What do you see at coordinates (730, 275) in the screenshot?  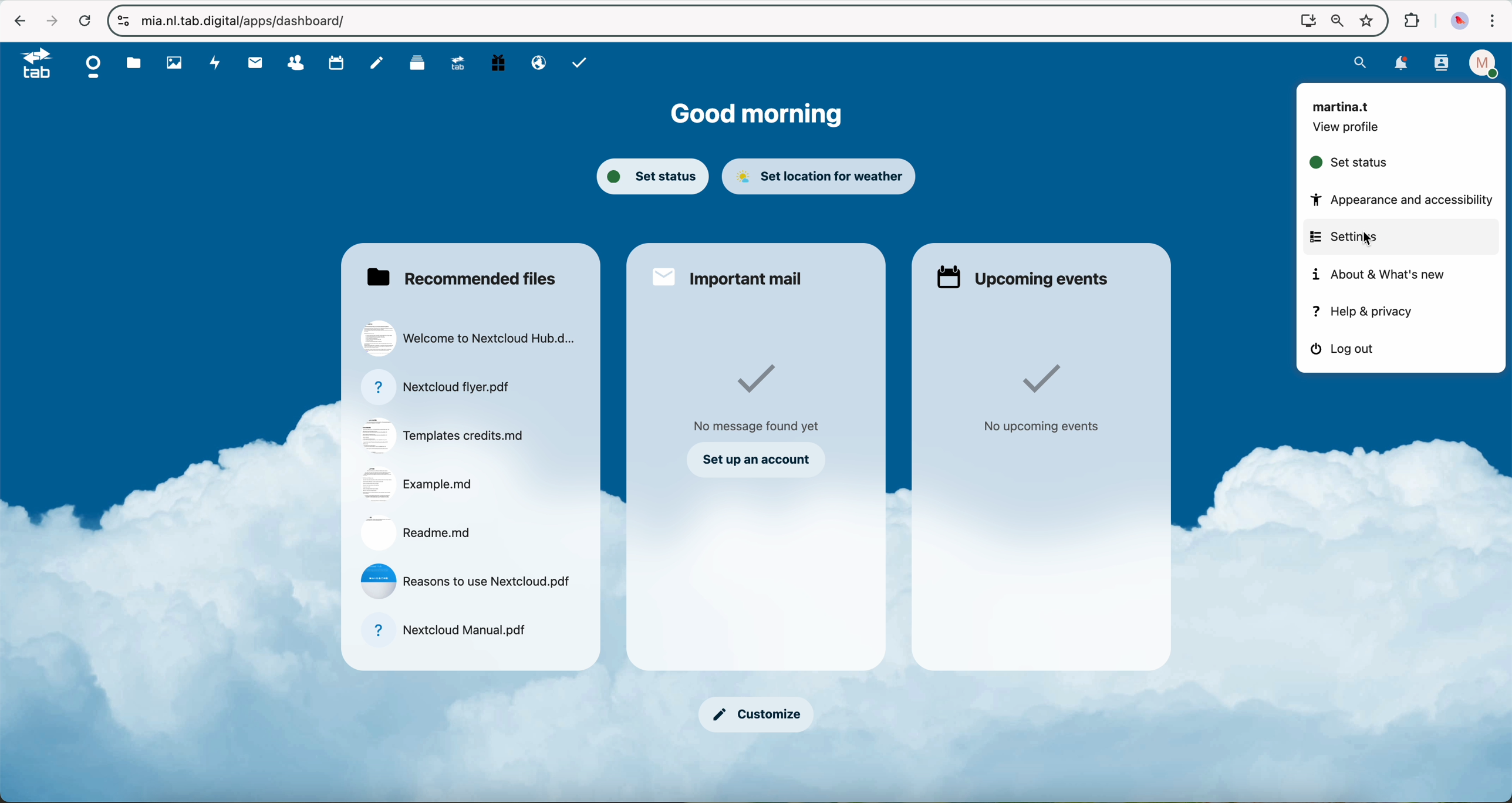 I see `important mail` at bounding box center [730, 275].